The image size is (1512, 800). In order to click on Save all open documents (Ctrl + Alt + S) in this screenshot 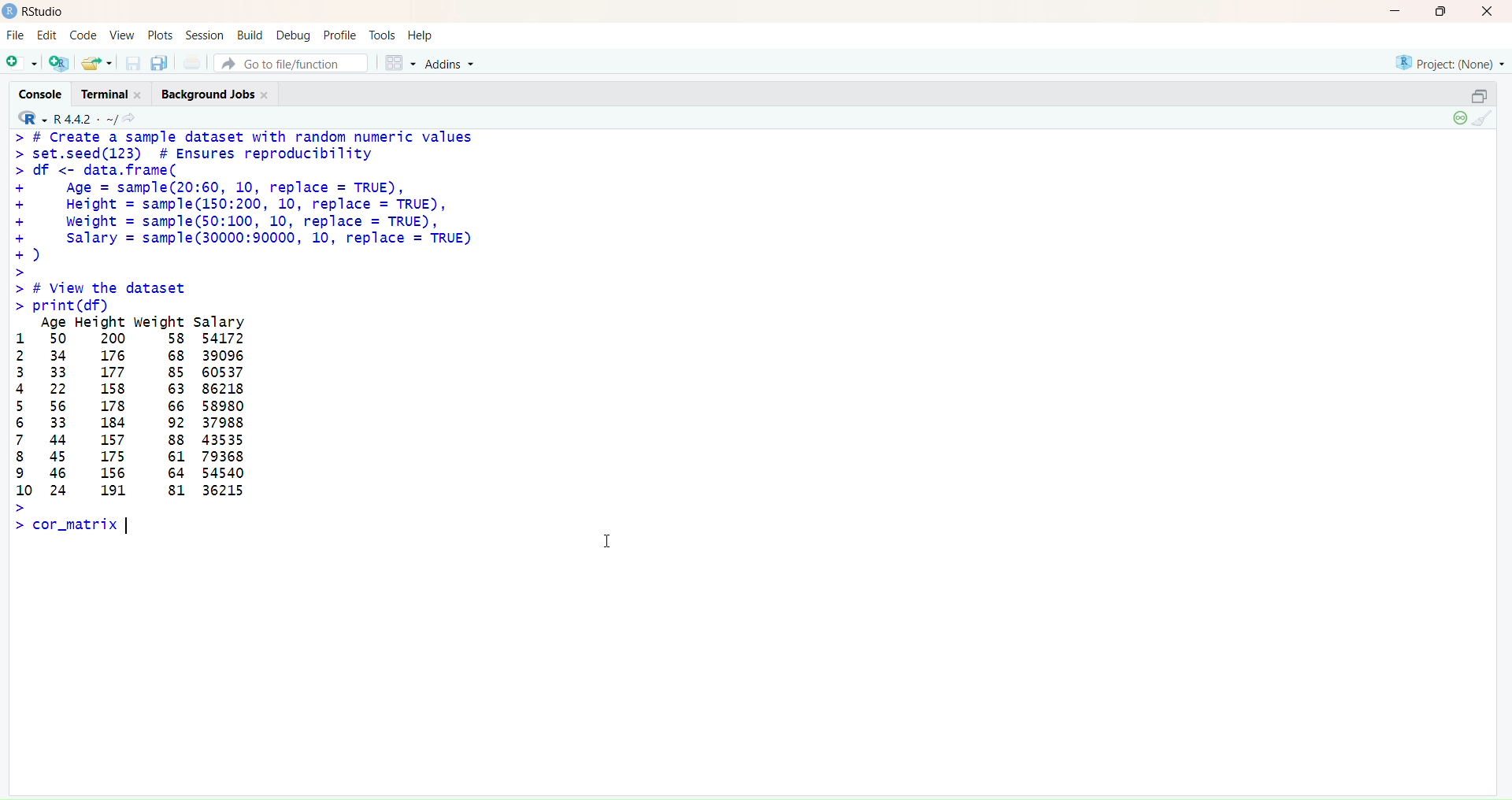, I will do `click(160, 61)`.